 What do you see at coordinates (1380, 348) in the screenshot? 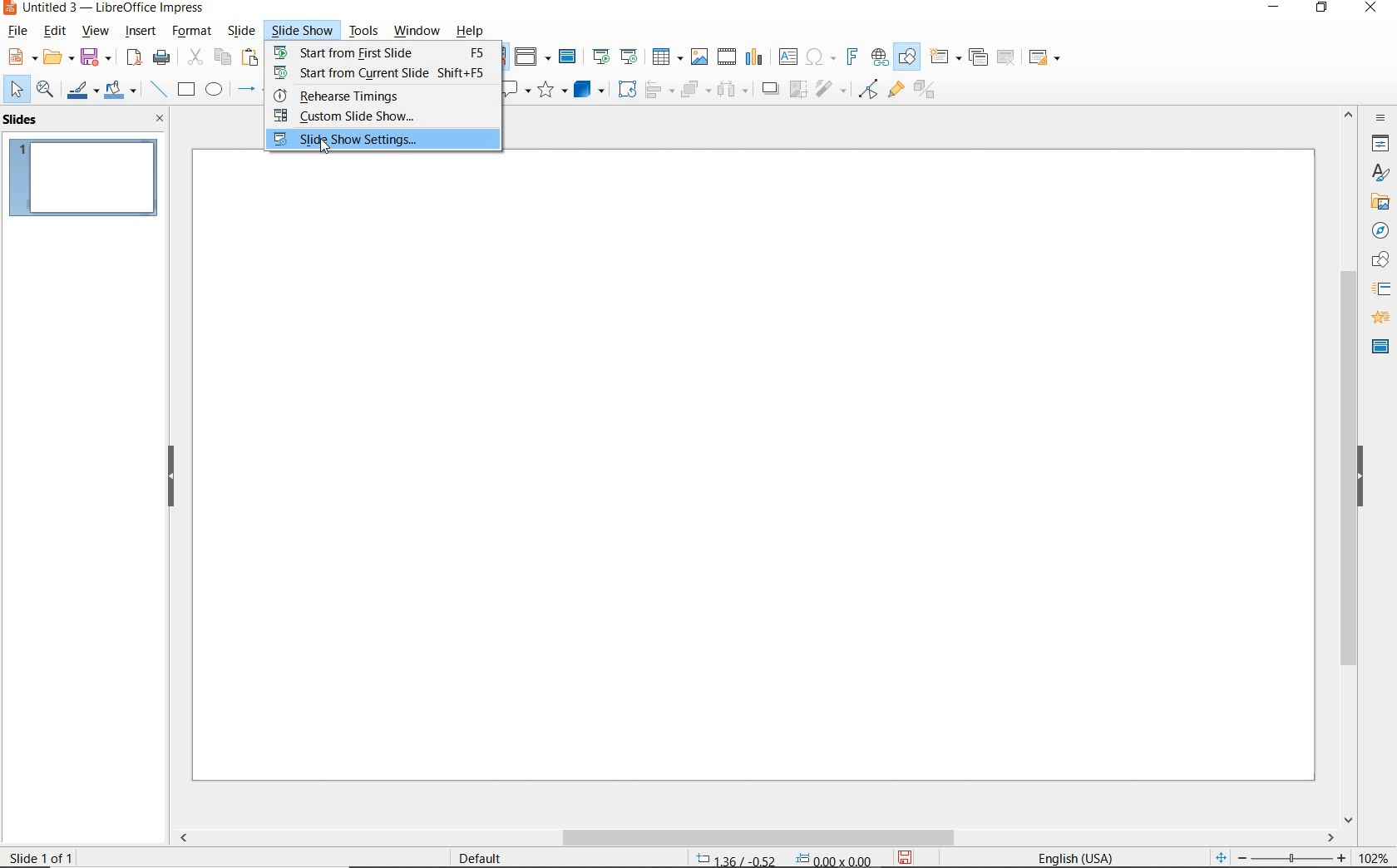
I see `MASTER SLIDES` at bounding box center [1380, 348].